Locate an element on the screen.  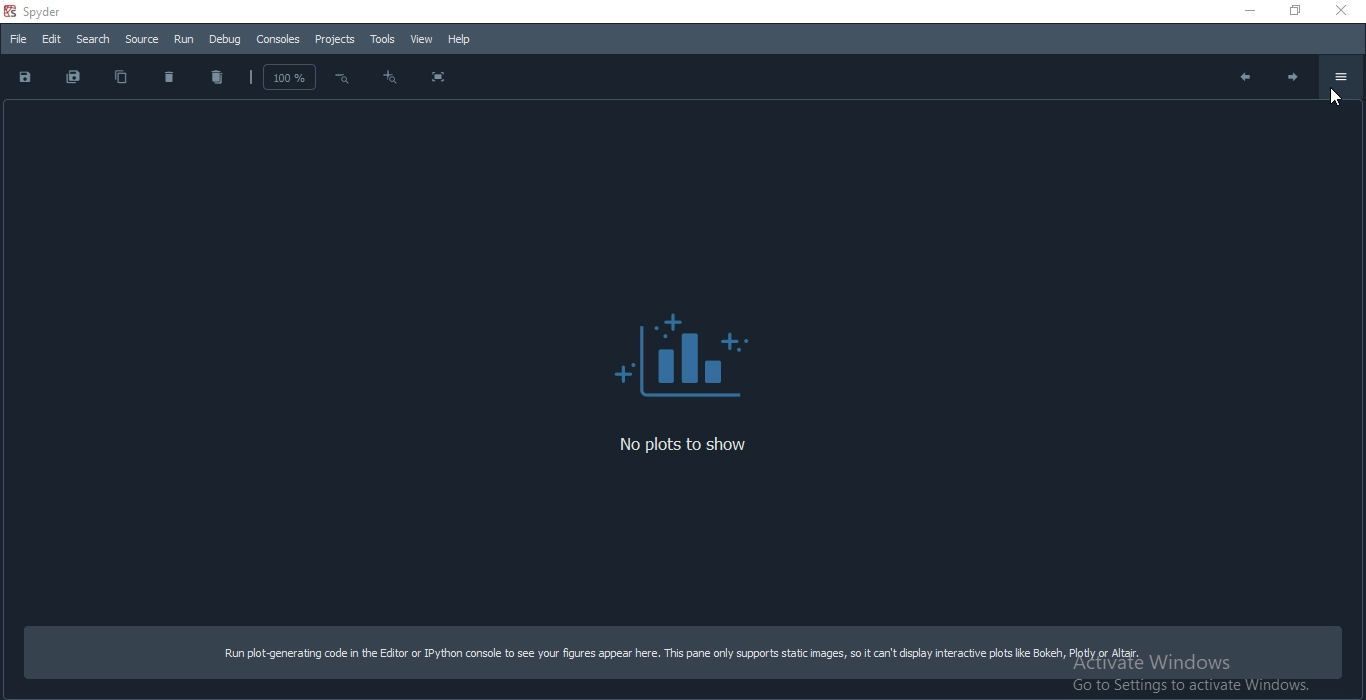
Projects is located at coordinates (335, 39).